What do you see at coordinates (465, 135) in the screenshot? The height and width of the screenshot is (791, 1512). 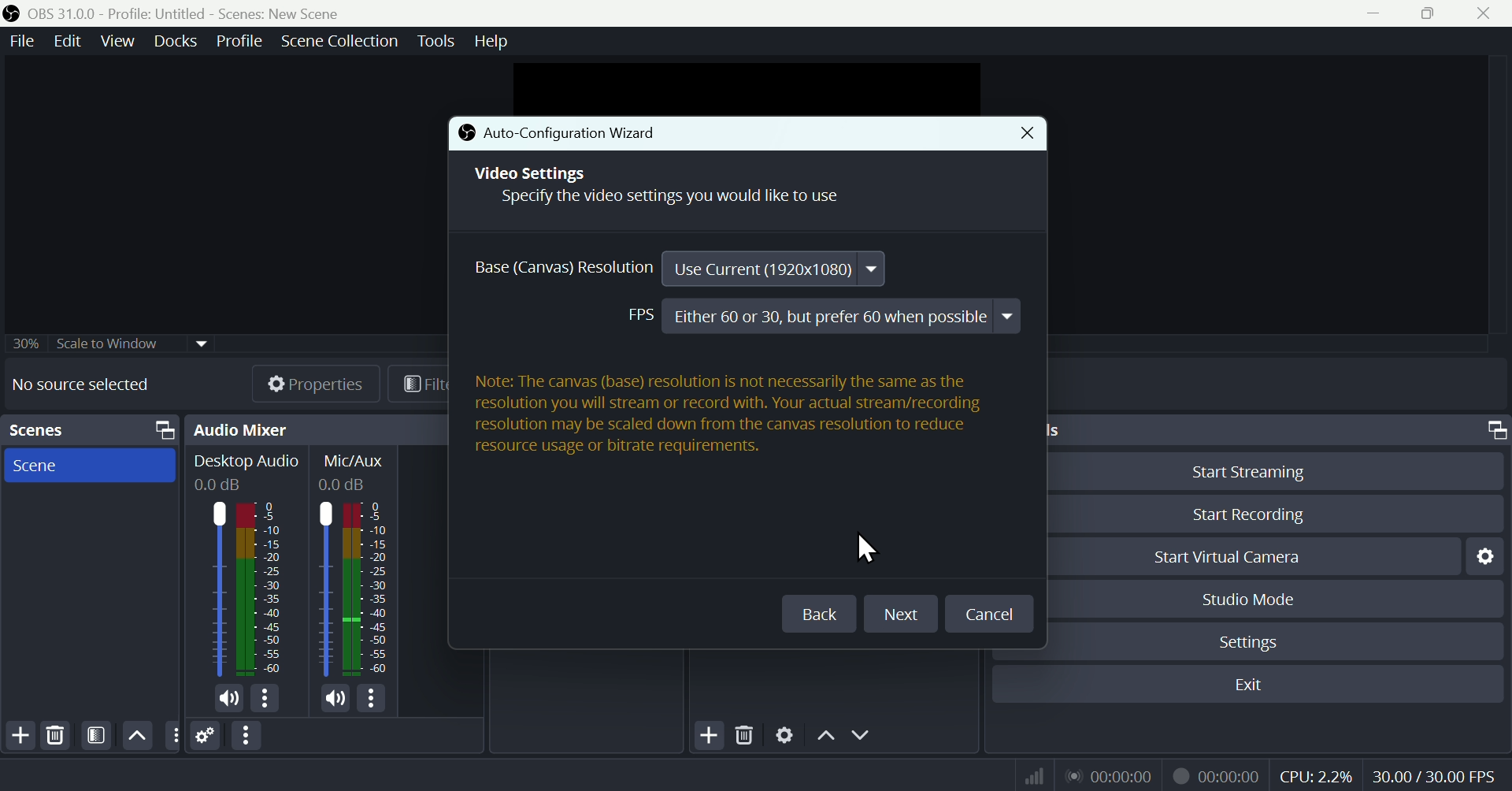 I see `icon` at bounding box center [465, 135].